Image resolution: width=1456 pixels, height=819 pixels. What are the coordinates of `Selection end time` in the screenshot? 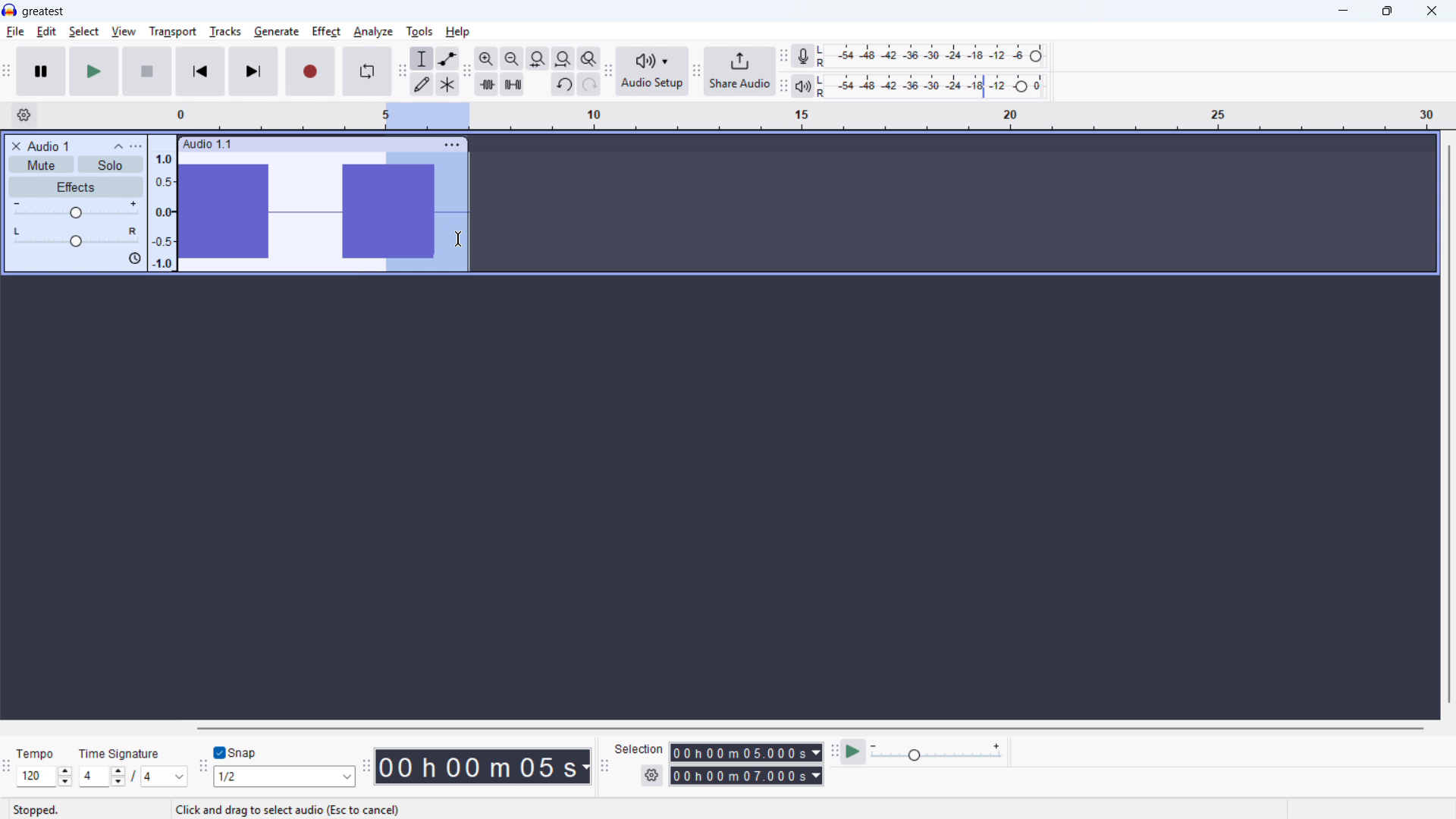 It's located at (747, 775).